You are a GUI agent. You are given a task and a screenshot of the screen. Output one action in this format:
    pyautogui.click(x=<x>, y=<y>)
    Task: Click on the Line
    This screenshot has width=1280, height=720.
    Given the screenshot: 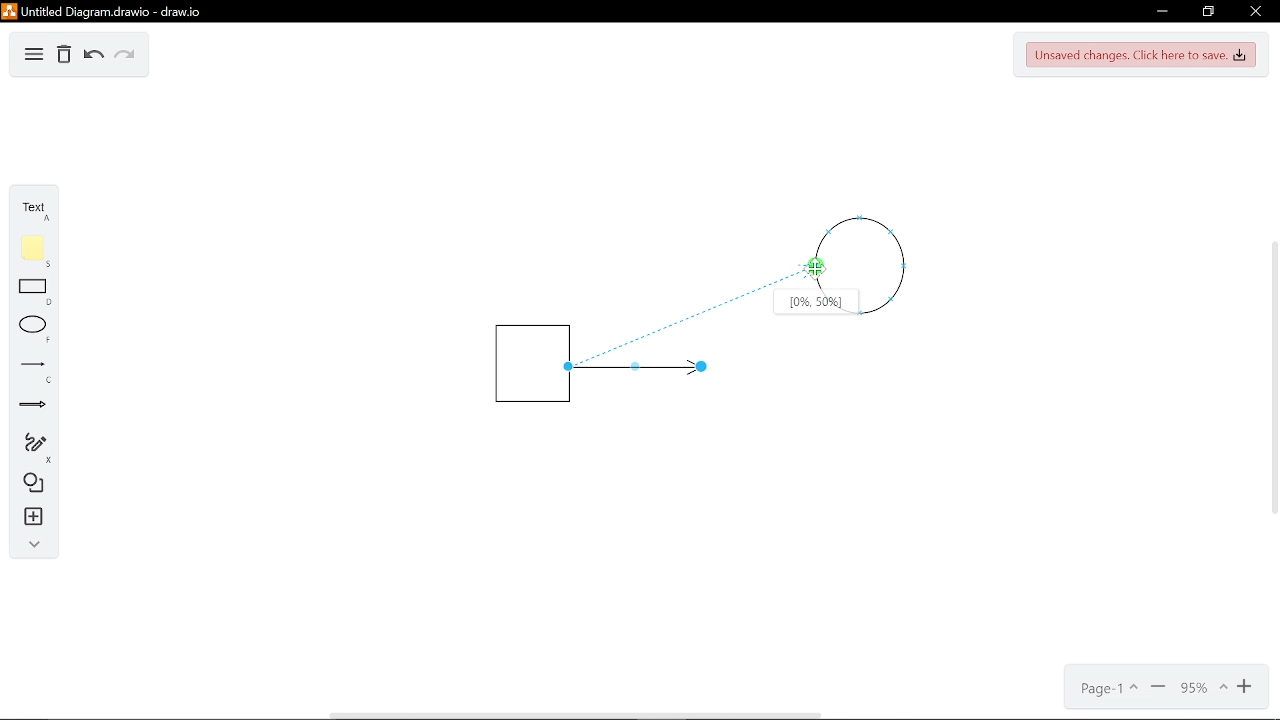 What is the action you would take?
    pyautogui.click(x=30, y=368)
    